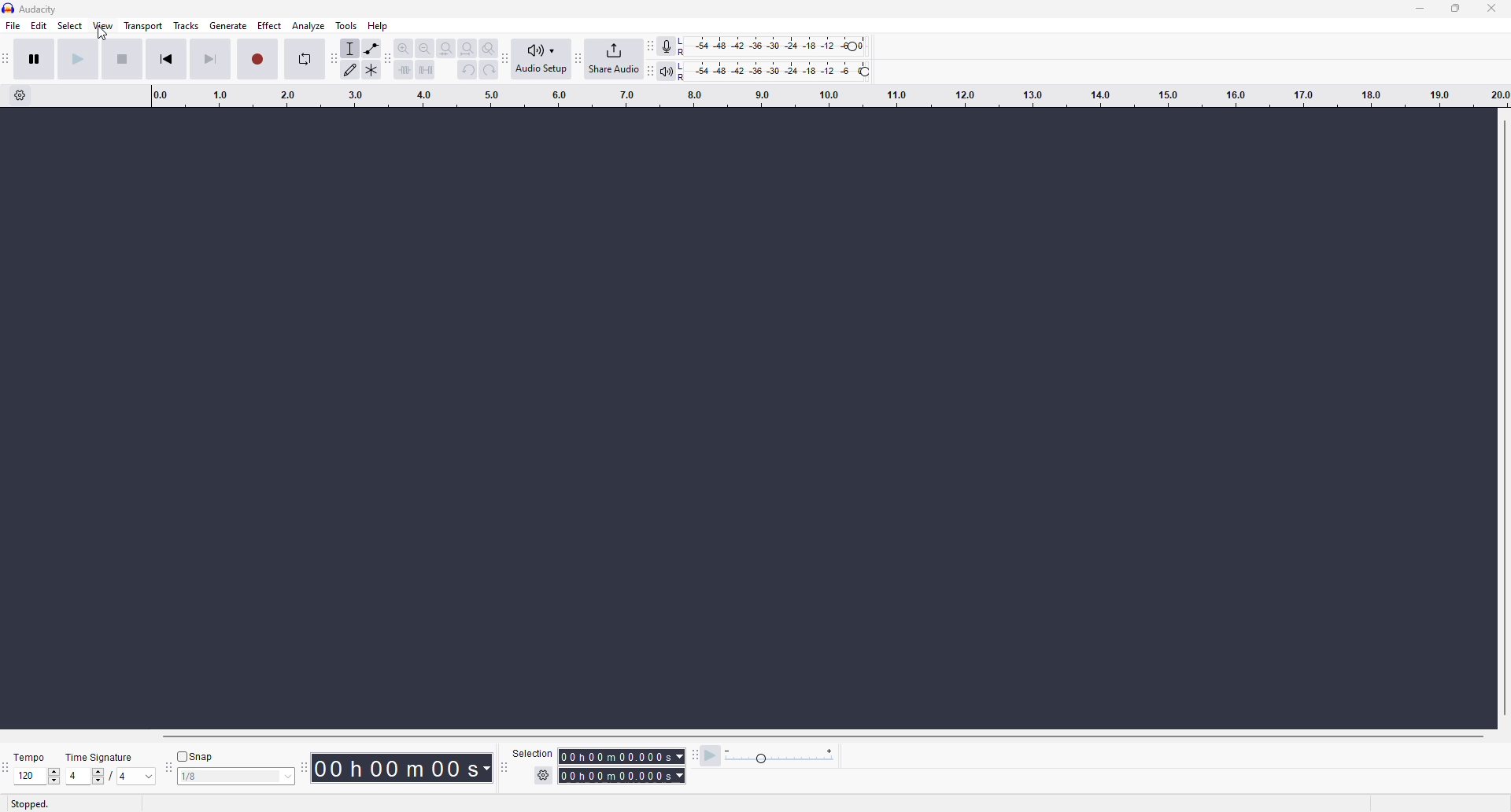 The image size is (1511, 812). What do you see at coordinates (209, 58) in the screenshot?
I see `skip to end` at bounding box center [209, 58].